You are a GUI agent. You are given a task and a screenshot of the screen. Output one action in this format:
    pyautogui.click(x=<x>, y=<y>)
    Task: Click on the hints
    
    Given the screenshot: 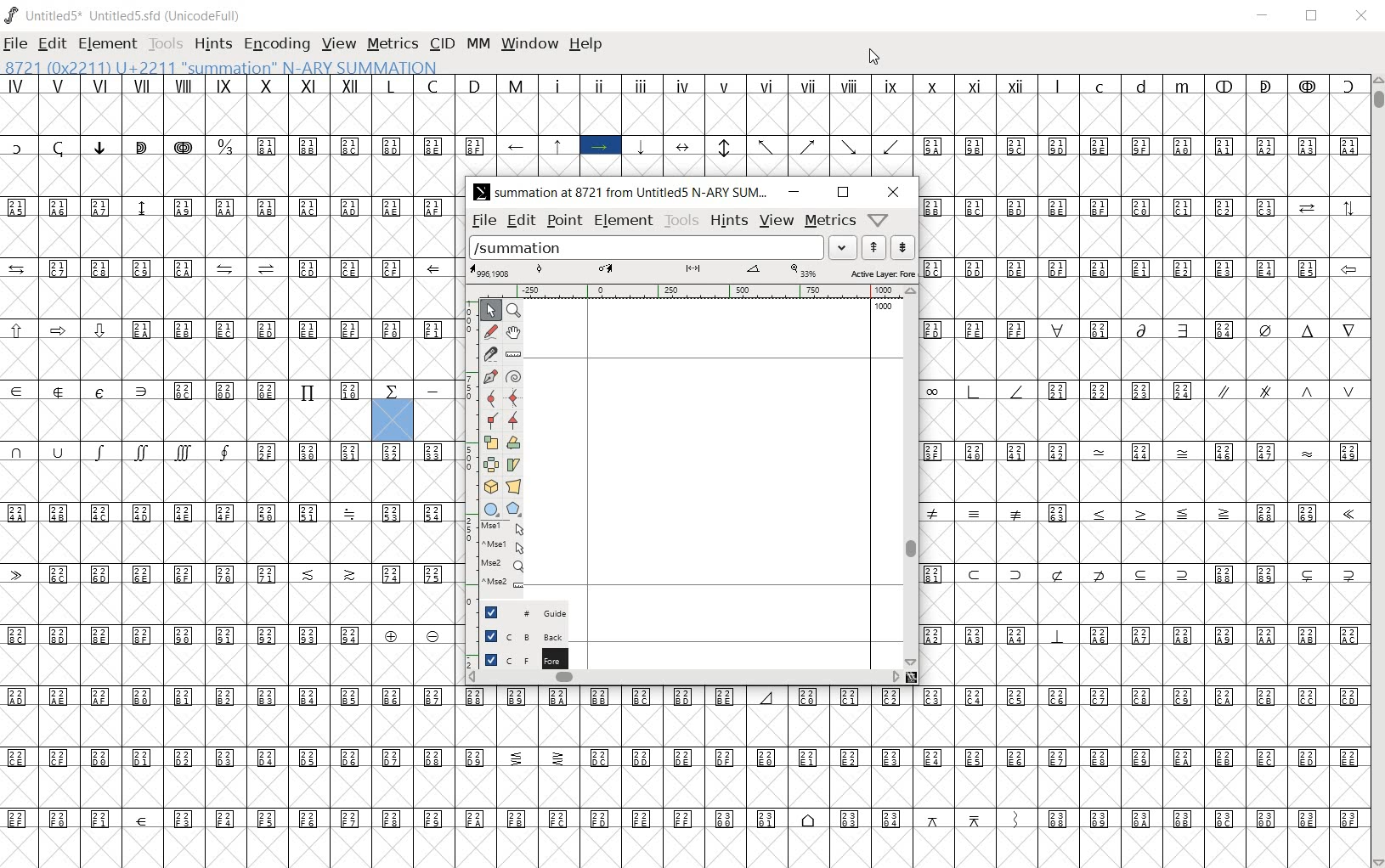 What is the action you would take?
    pyautogui.click(x=728, y=220)
    